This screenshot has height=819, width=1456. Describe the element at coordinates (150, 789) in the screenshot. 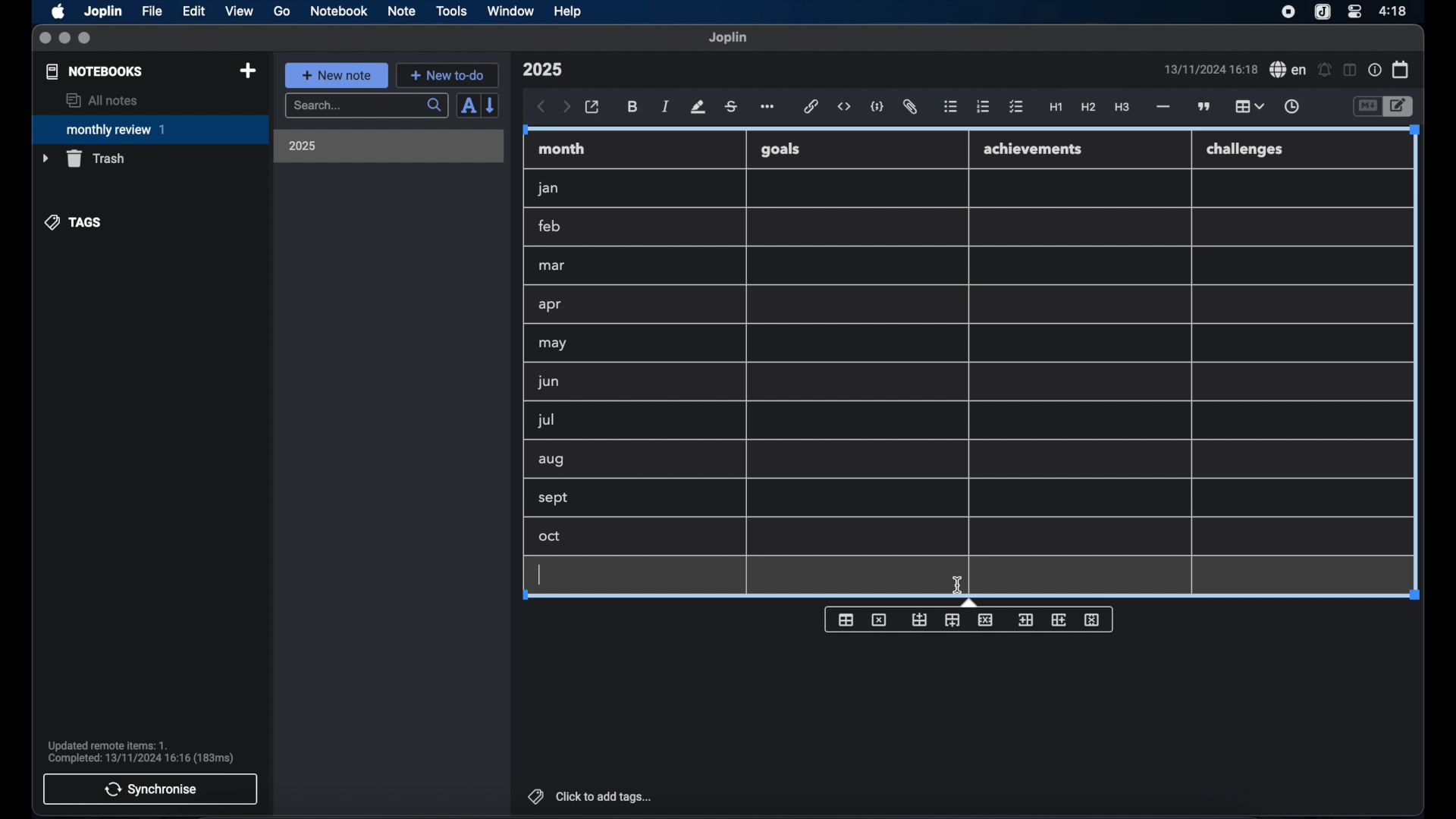

I see `synchronise` at that location.